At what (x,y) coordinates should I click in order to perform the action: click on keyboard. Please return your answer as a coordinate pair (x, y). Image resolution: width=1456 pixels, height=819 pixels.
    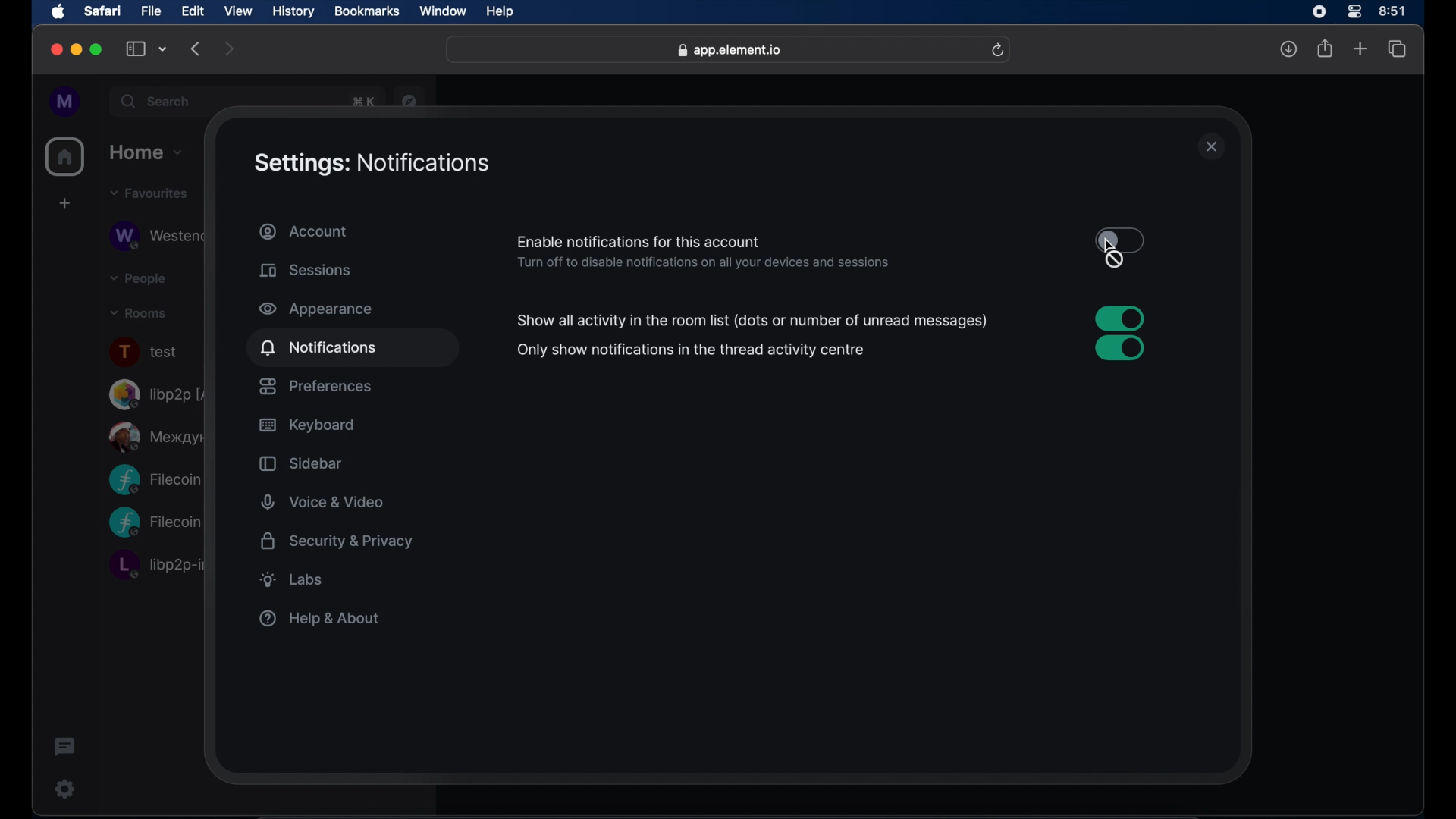
    Looking at the image, I should click on (306, 425).